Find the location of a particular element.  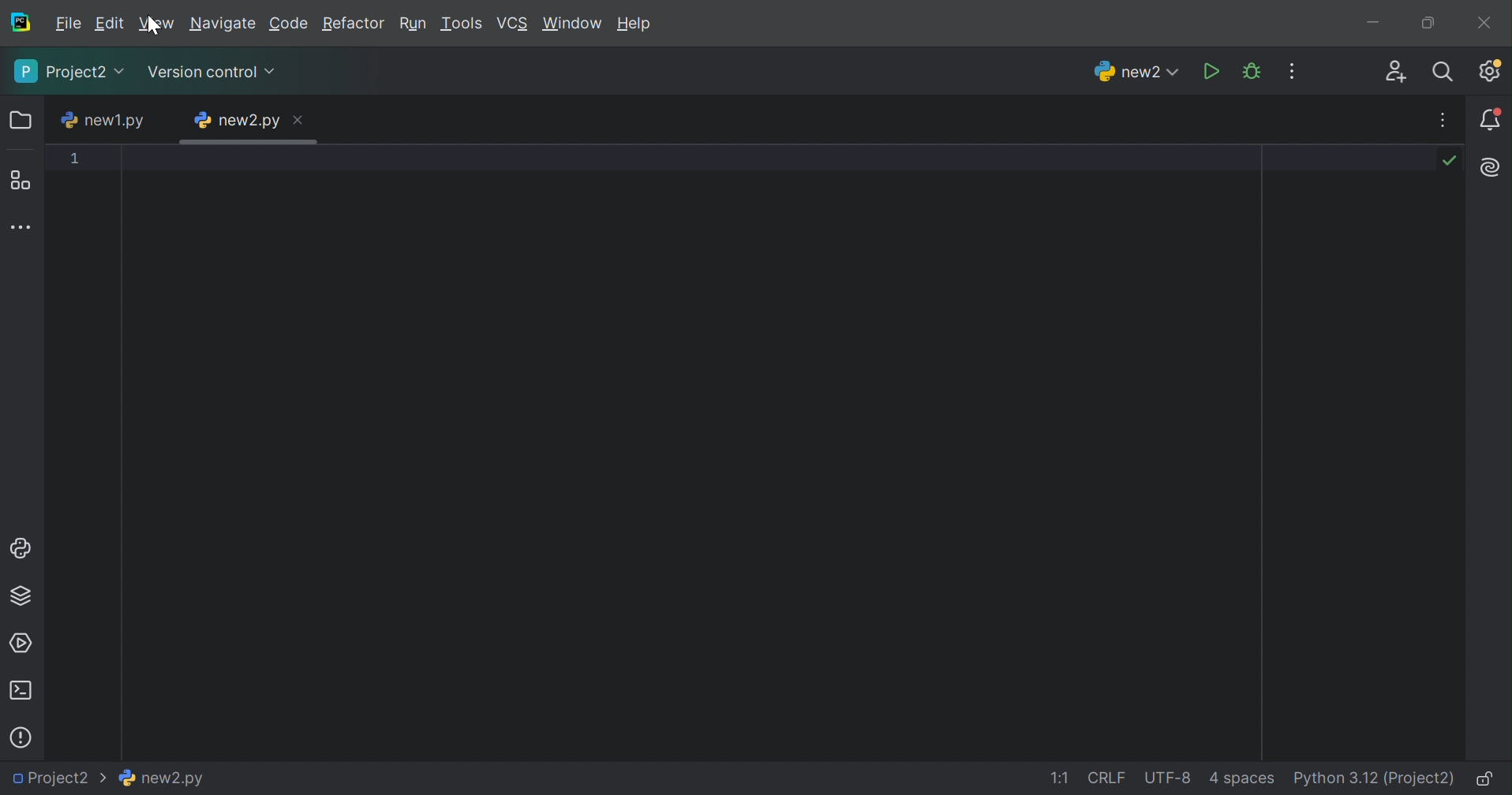

Code with me is located at coordinates (1397, 73).